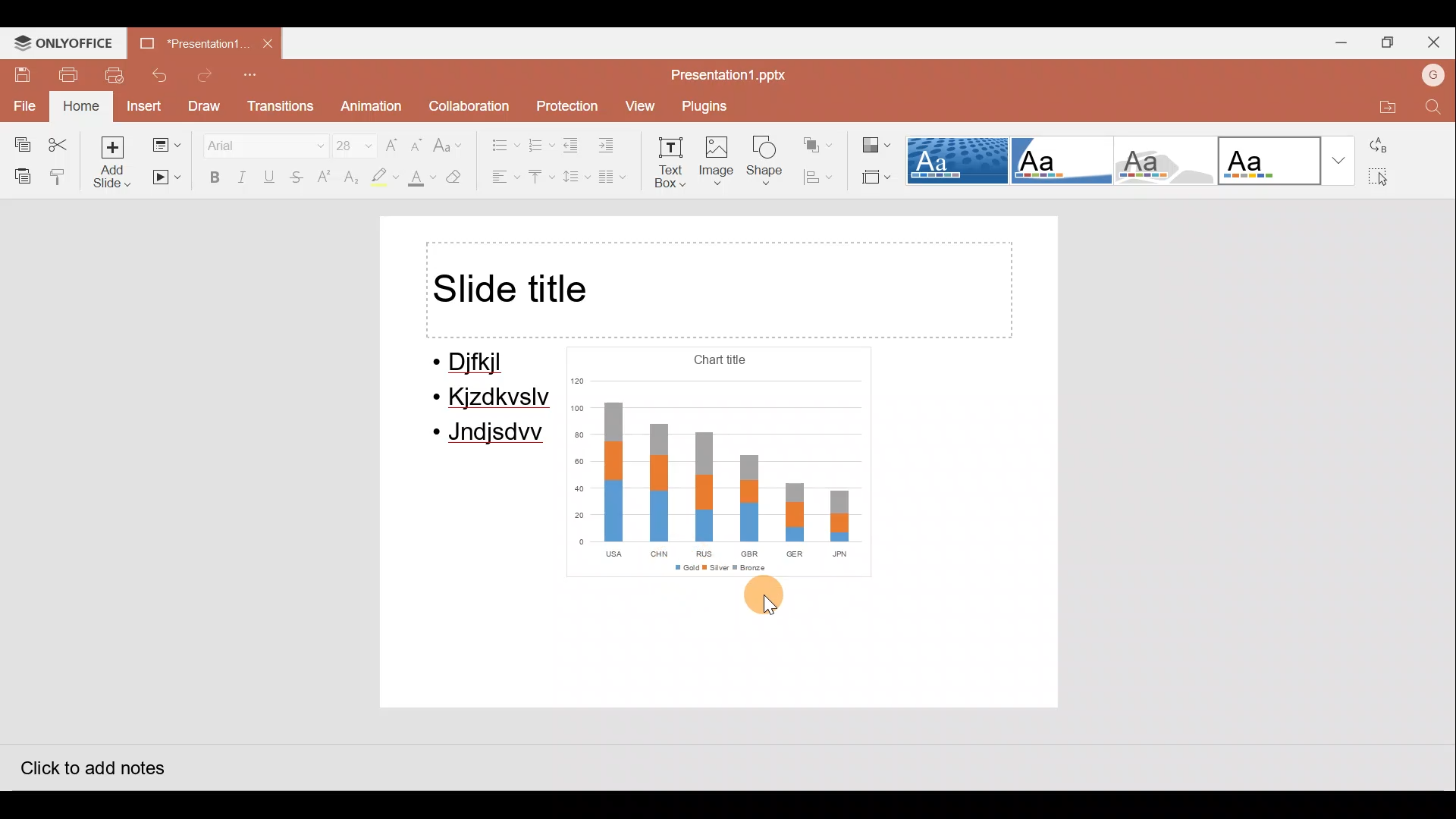 The height and width of the screenshot is (819, 1456). Describe the element at coordinates (1437, 39) in the screenshot. I see `Close` at that location.